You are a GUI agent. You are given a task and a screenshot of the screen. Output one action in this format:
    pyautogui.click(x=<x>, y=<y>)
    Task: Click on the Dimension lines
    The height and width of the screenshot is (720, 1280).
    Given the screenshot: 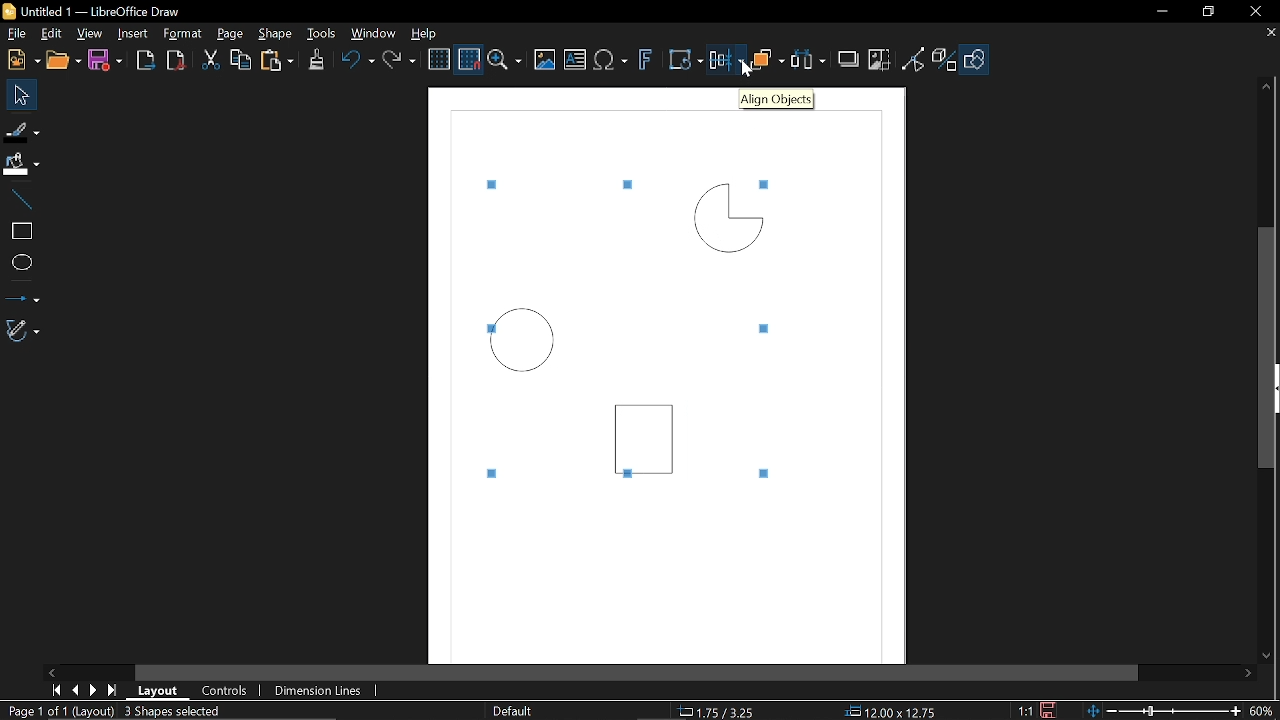 What is the action you would take?
    pyautogui.click(x=314, y=691)
    